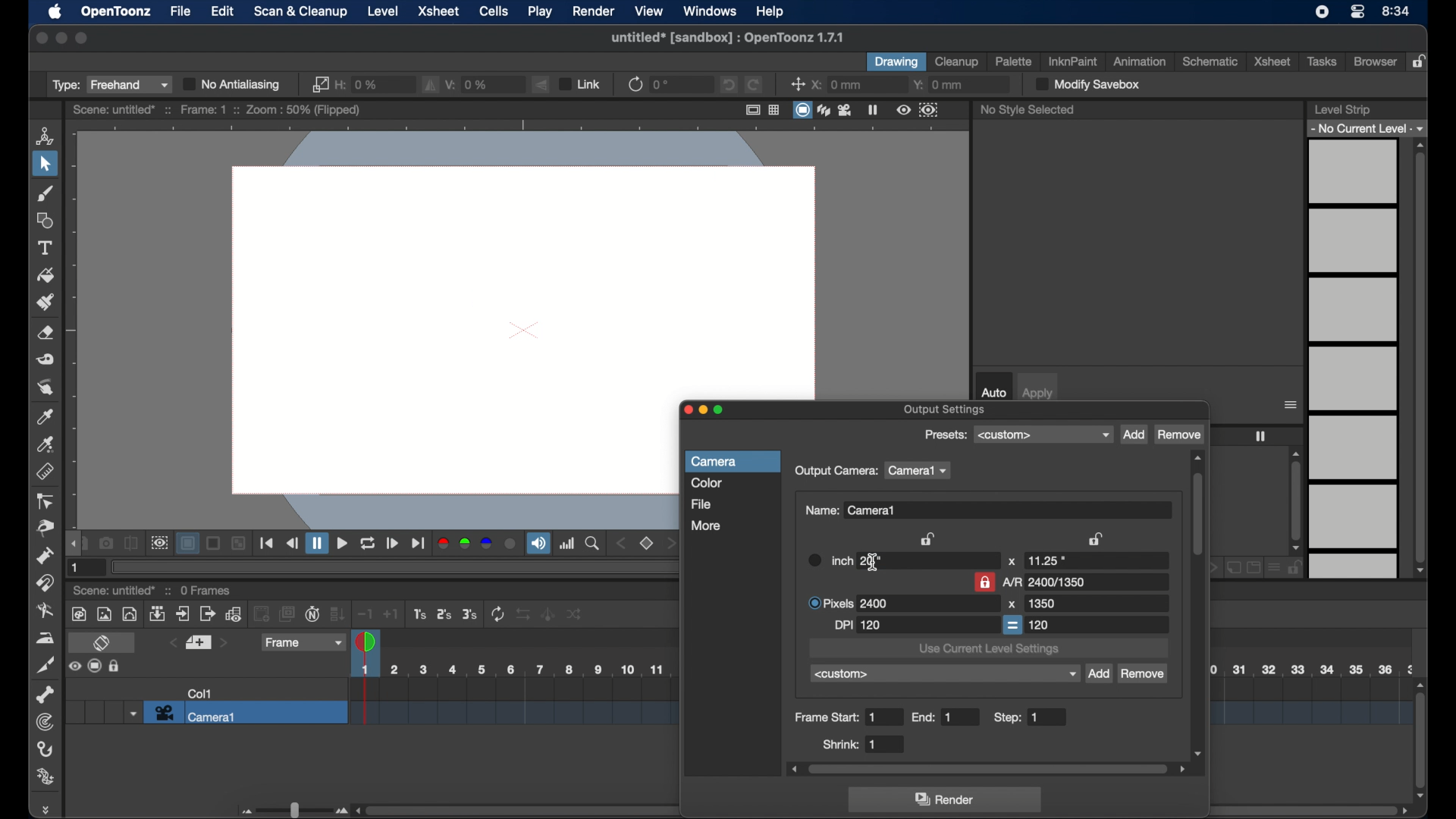 Image resolution: width=1456 pixels, height=819 pixels. I want to click on paint brush tool, so click(45, 301).